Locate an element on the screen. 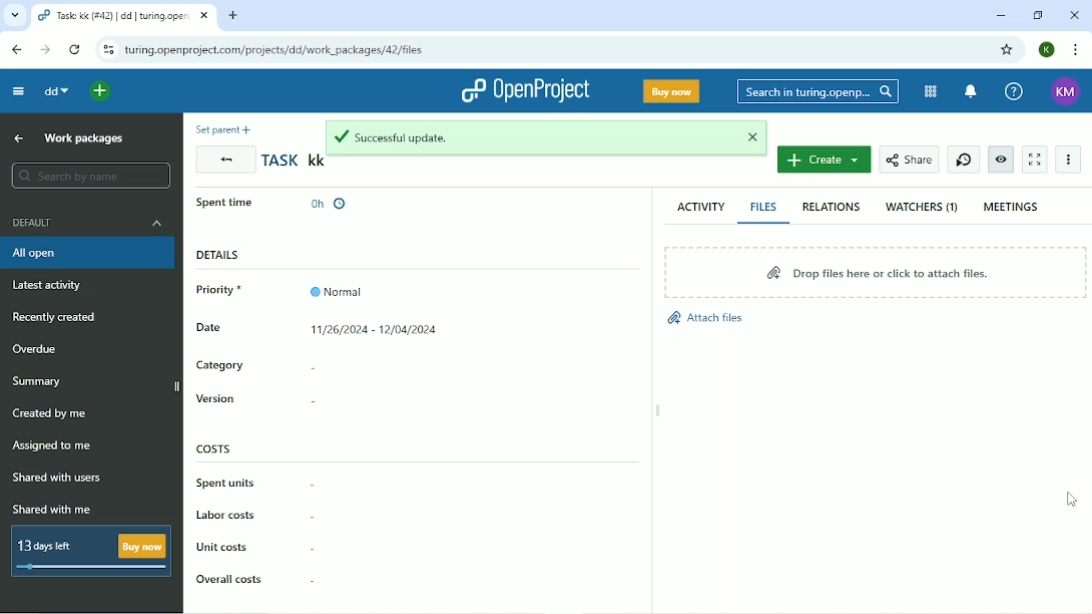  Forward is located at coordinates (46, 49).